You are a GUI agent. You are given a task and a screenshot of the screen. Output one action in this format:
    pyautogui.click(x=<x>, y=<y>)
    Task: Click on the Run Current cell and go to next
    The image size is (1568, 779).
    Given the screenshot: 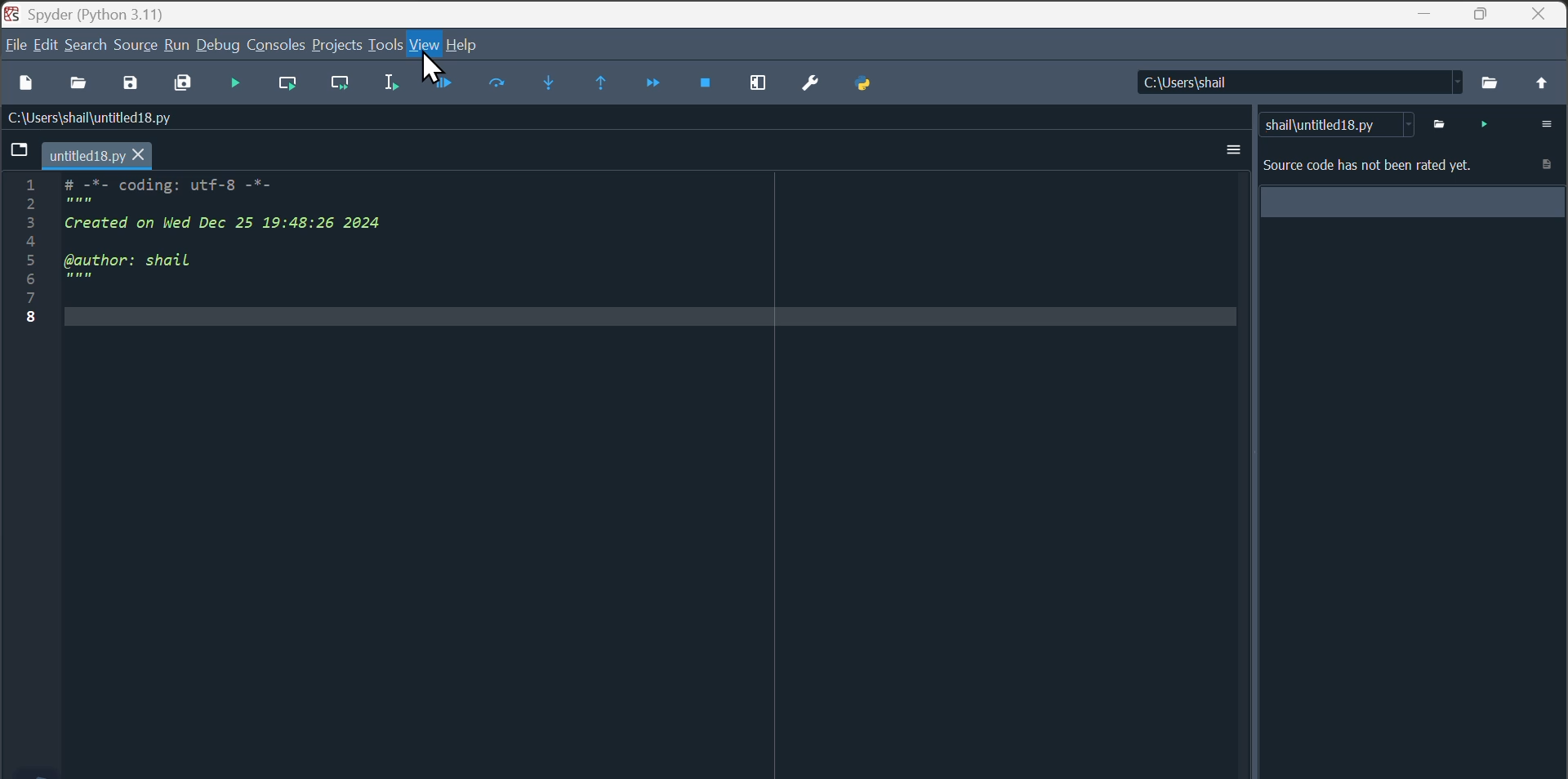 What is the action you would take?
    pyautogui.click(x=347, y=85)
    